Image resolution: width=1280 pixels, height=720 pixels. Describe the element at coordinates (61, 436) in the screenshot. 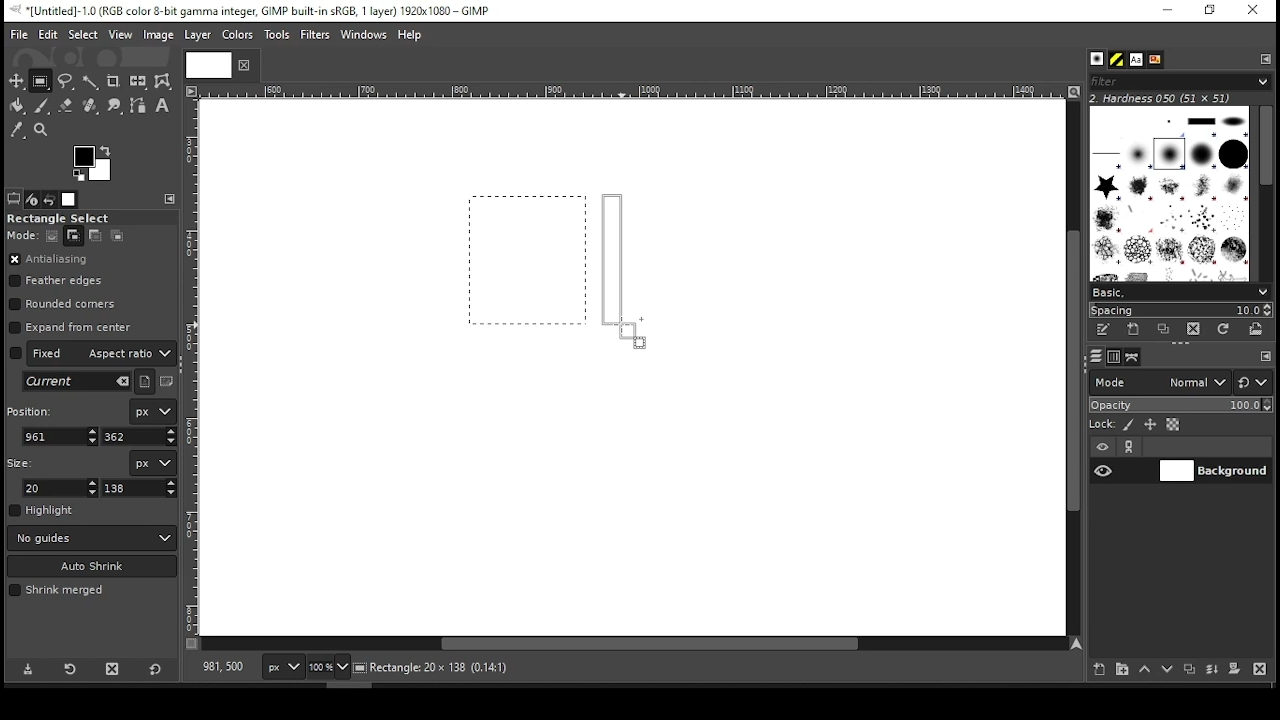

I see `x` at that location.